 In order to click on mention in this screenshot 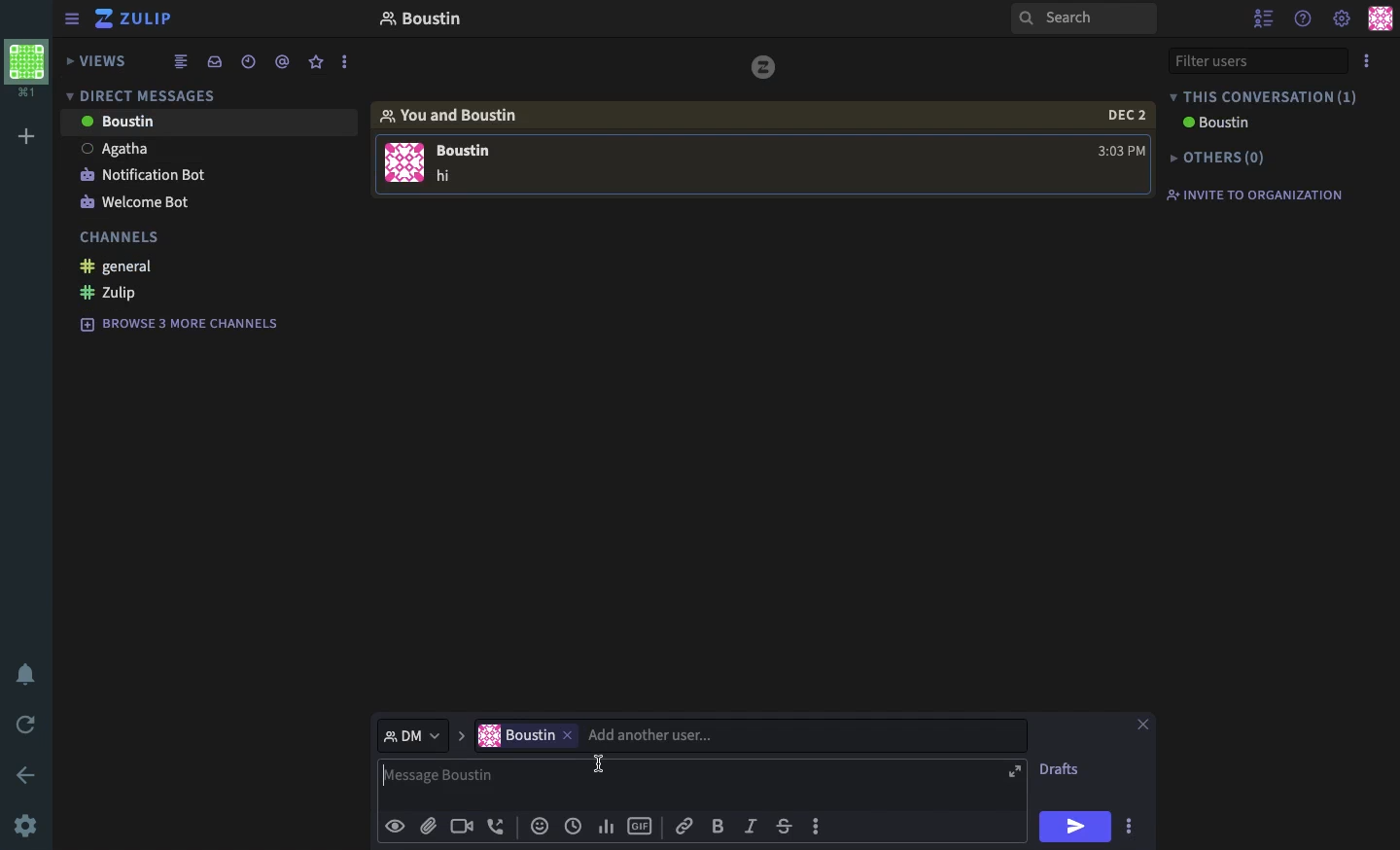, I will do `click(284, 62)`.